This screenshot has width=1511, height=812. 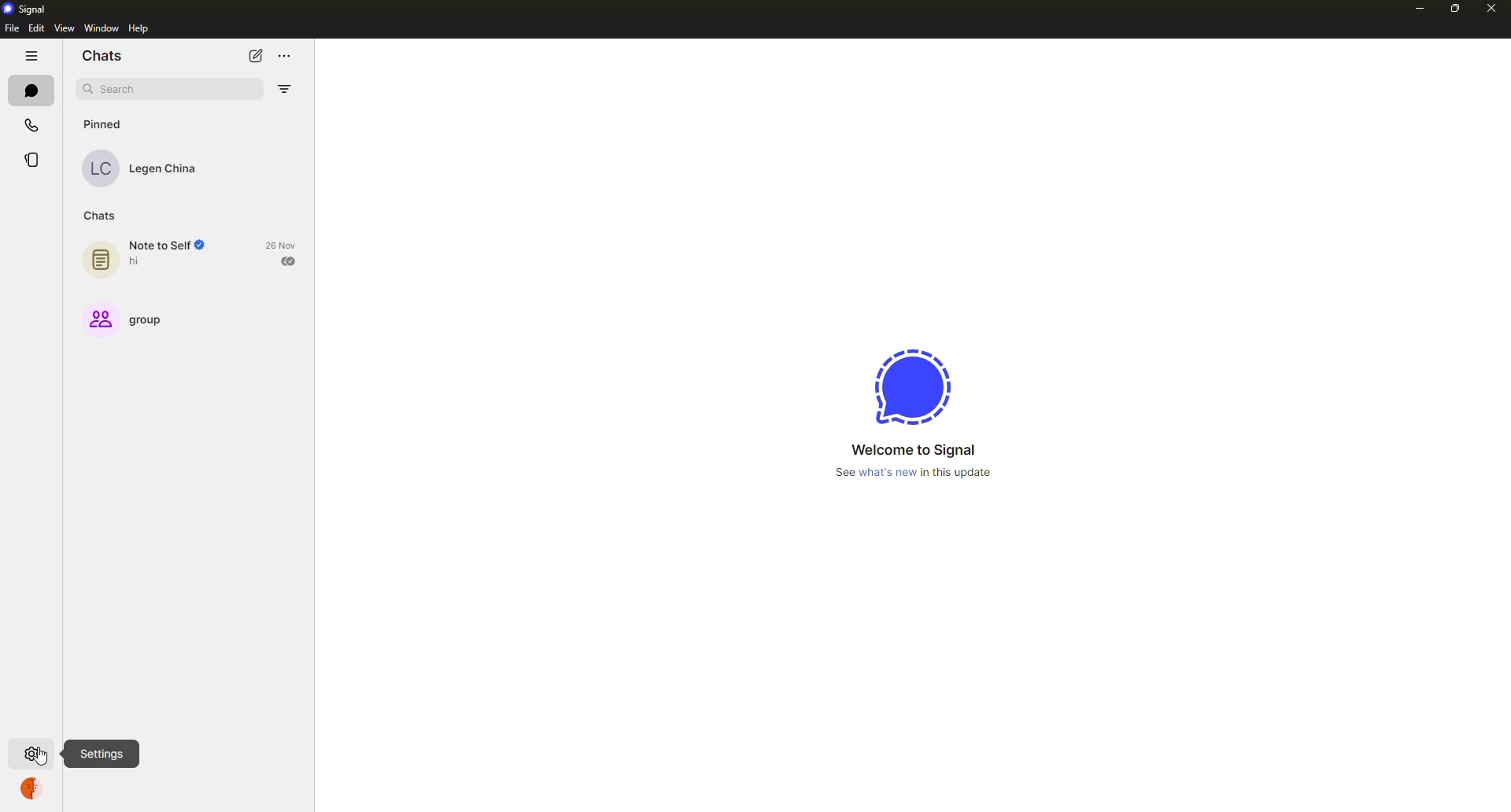 I want to click on new chat, so click(x=256, y=57).